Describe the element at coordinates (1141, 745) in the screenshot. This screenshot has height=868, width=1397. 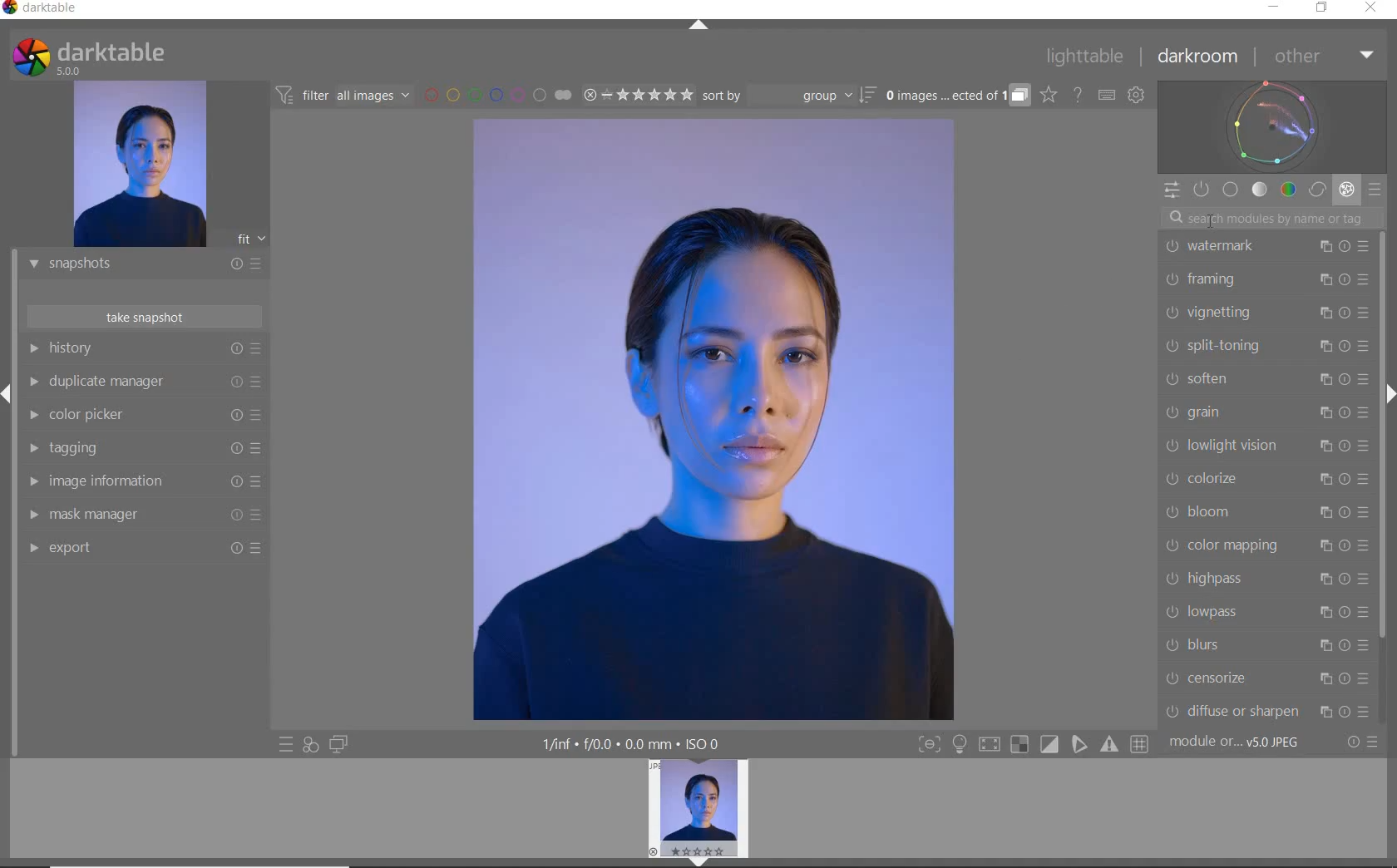
I see `Button` at that location.